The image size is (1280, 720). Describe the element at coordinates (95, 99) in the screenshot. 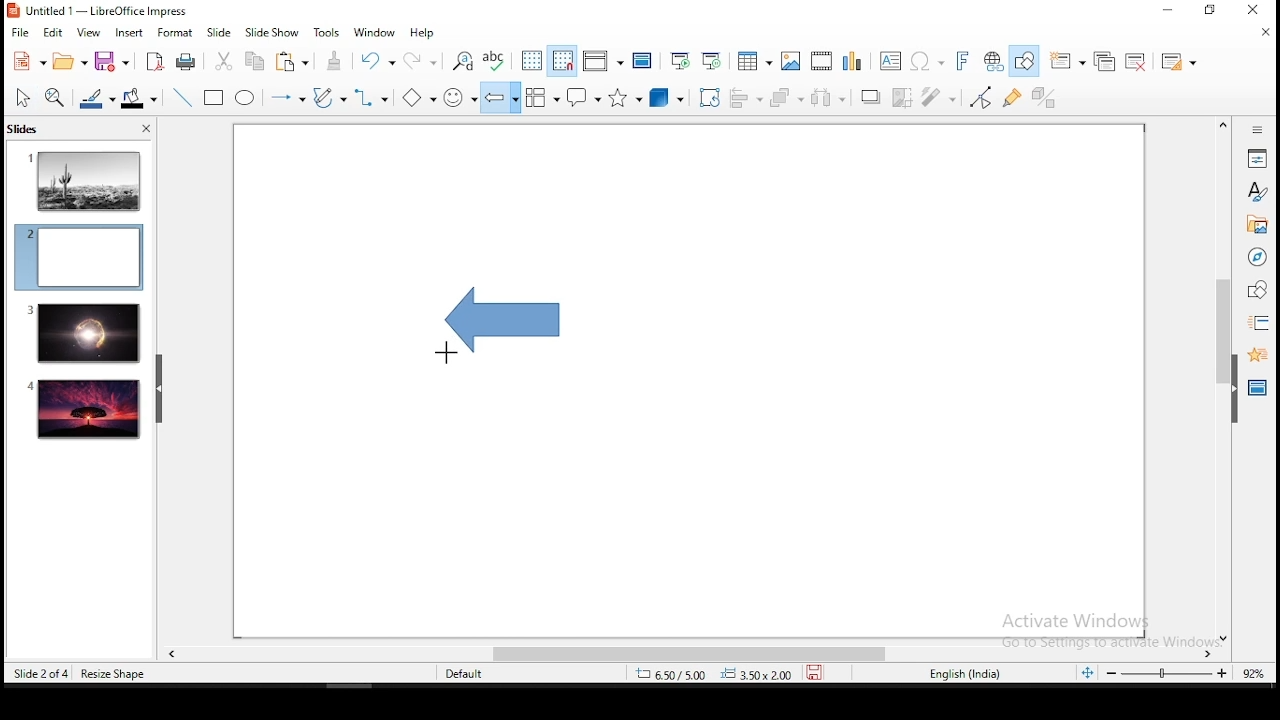

I see `line fill` at that location.